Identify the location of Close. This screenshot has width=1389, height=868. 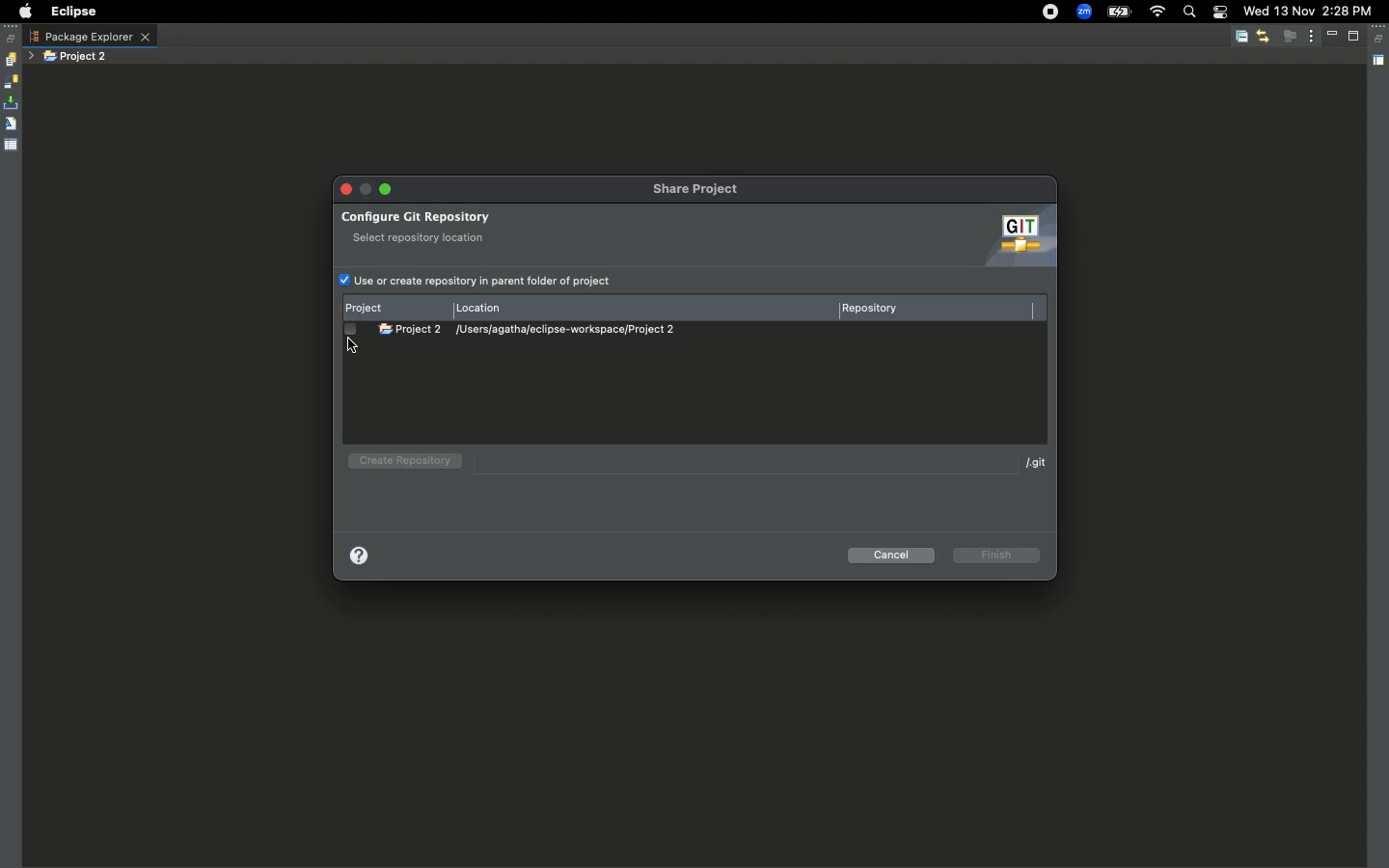
(348, 189).